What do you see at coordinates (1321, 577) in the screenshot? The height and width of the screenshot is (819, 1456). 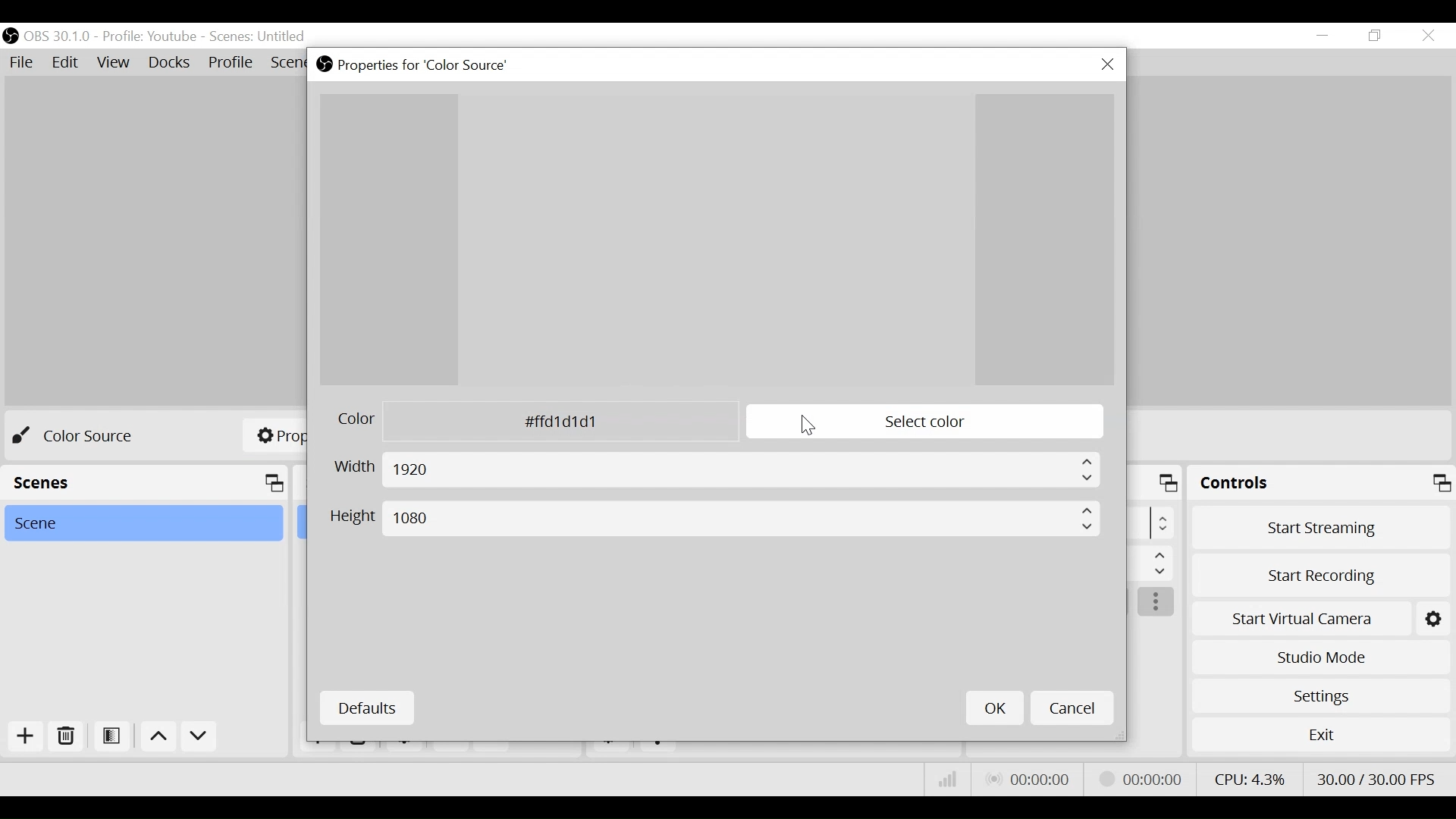 I see `Start Recording` at bounding box center [1321, 577].